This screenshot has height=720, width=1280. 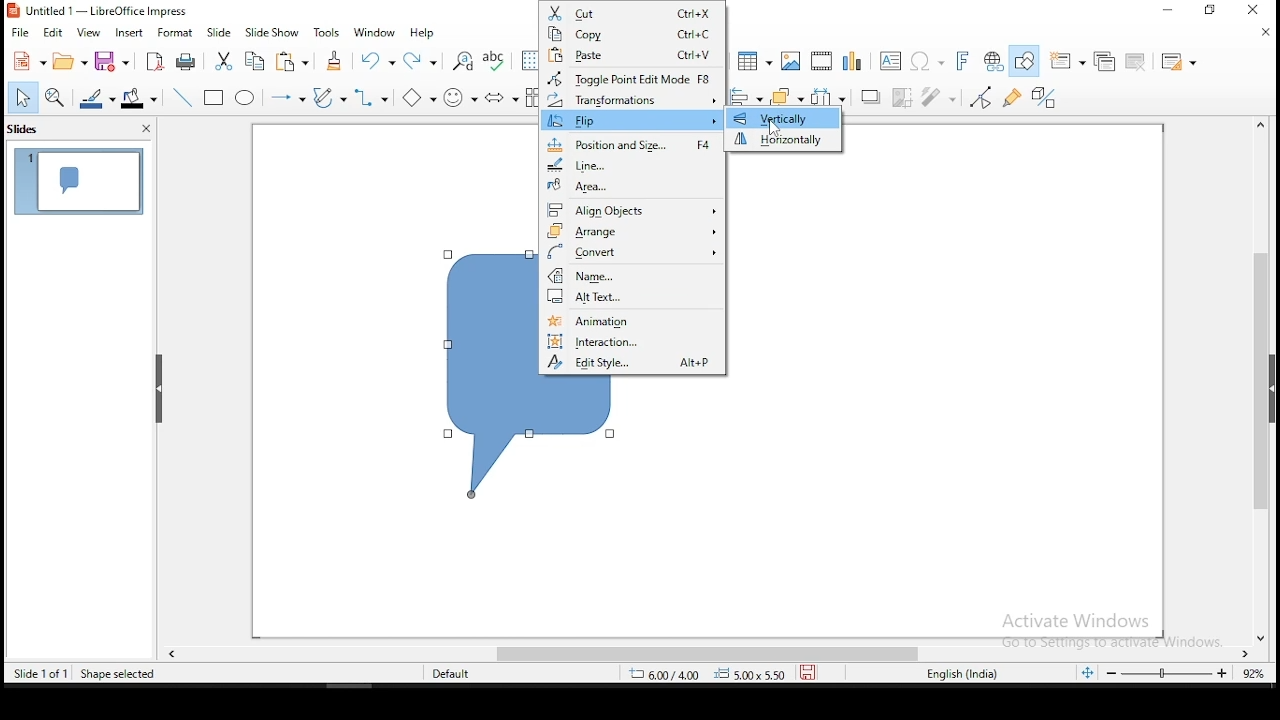 What do you see at coordinates (293, 62) in the screenshot?
I see `paste` at bounding box center [293, 62].